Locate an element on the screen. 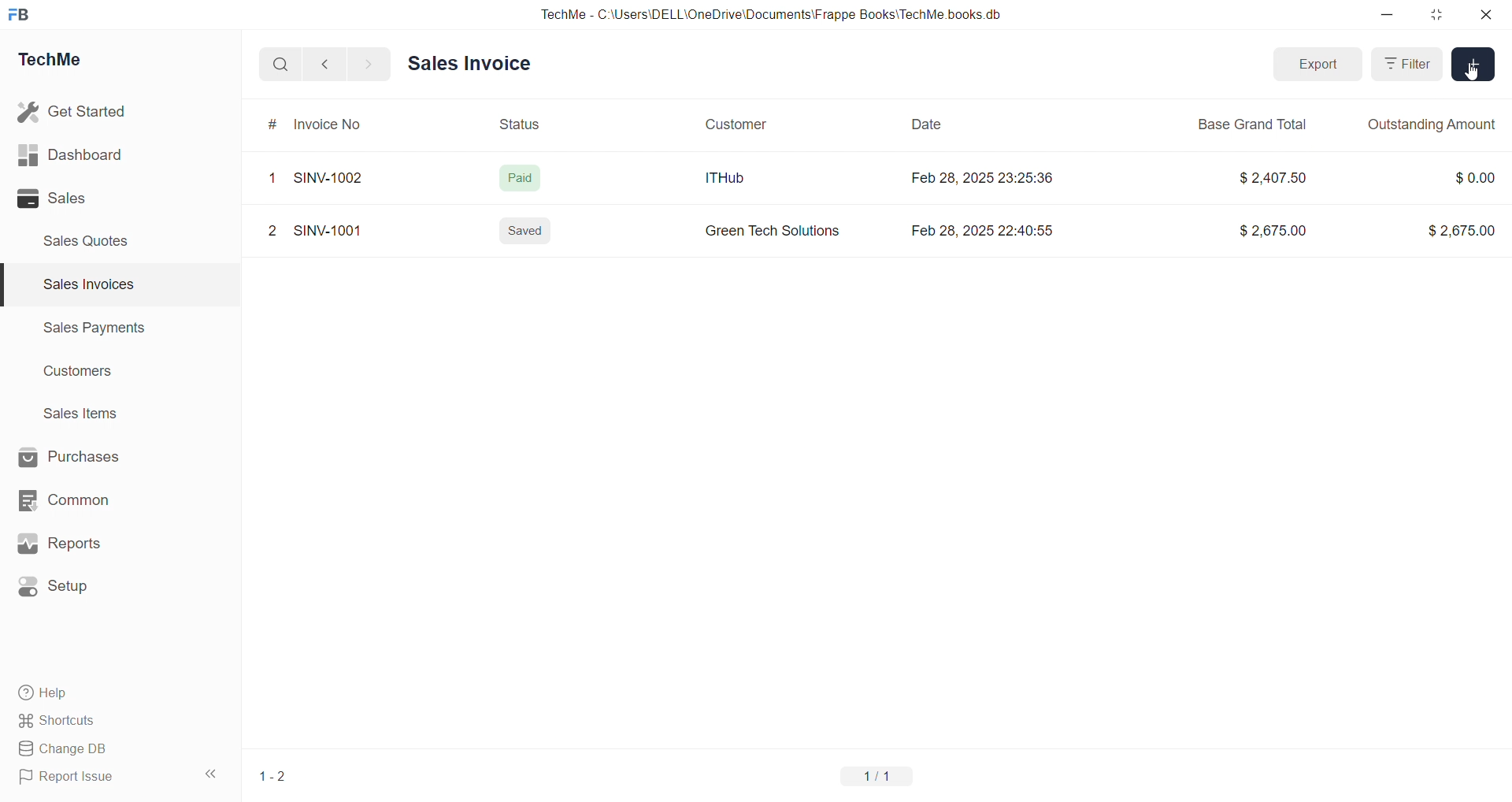 Image resolution: width=1512 pixels, height=802 pixels. Close is located at coordinates (1490, 18).